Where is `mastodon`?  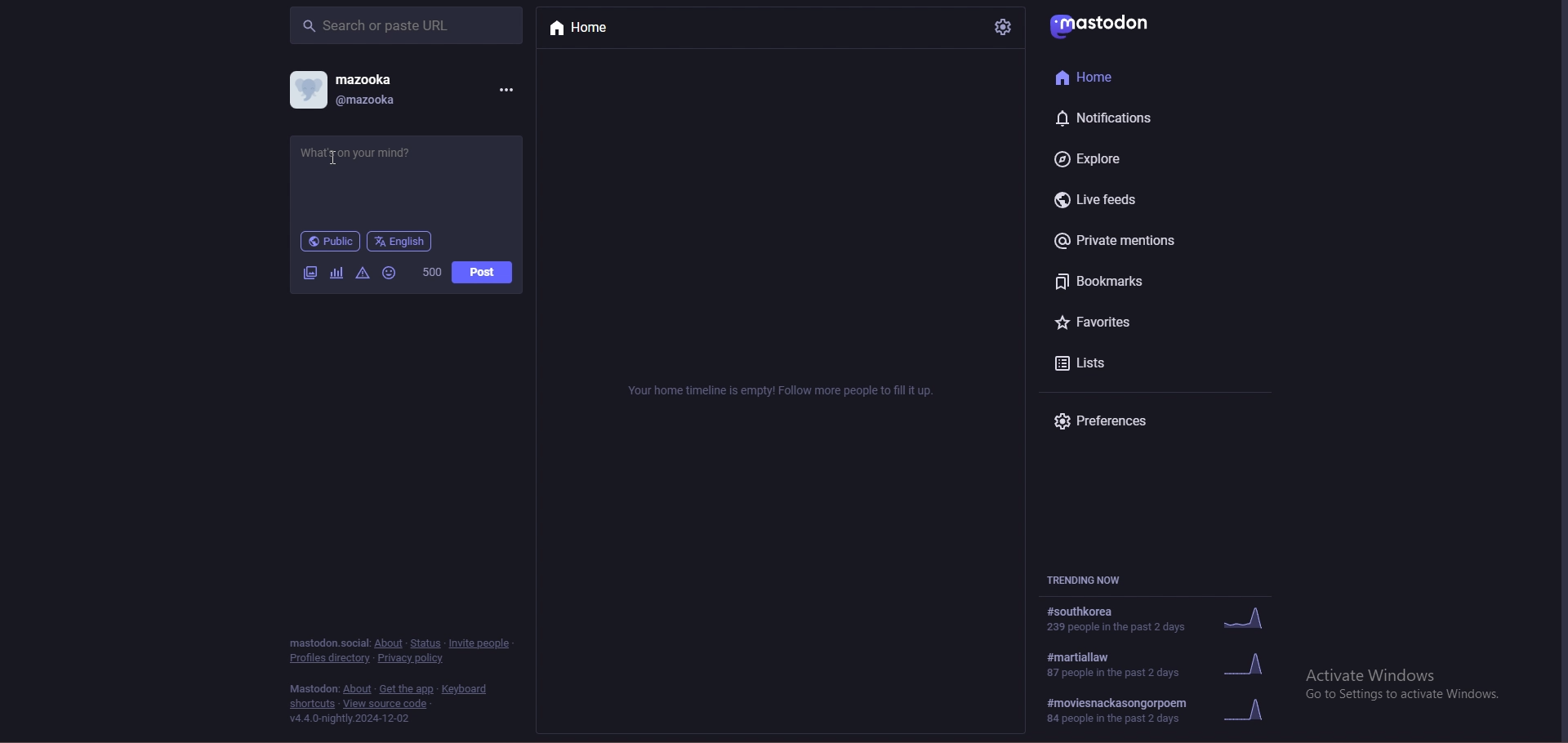 mastodon is located at coordinates (327, 642).